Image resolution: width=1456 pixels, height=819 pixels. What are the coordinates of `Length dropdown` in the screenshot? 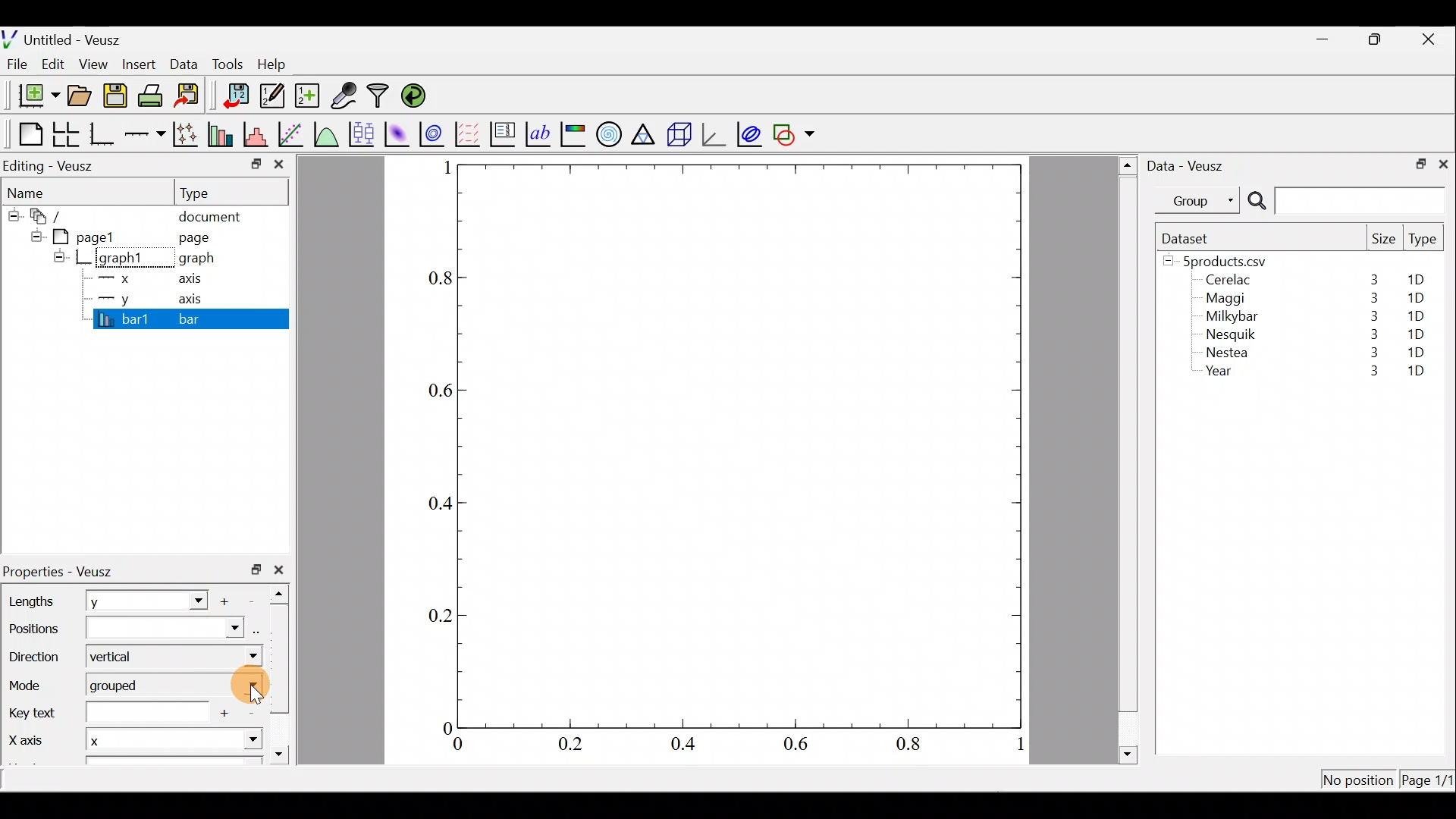 It's located at (191, 600).